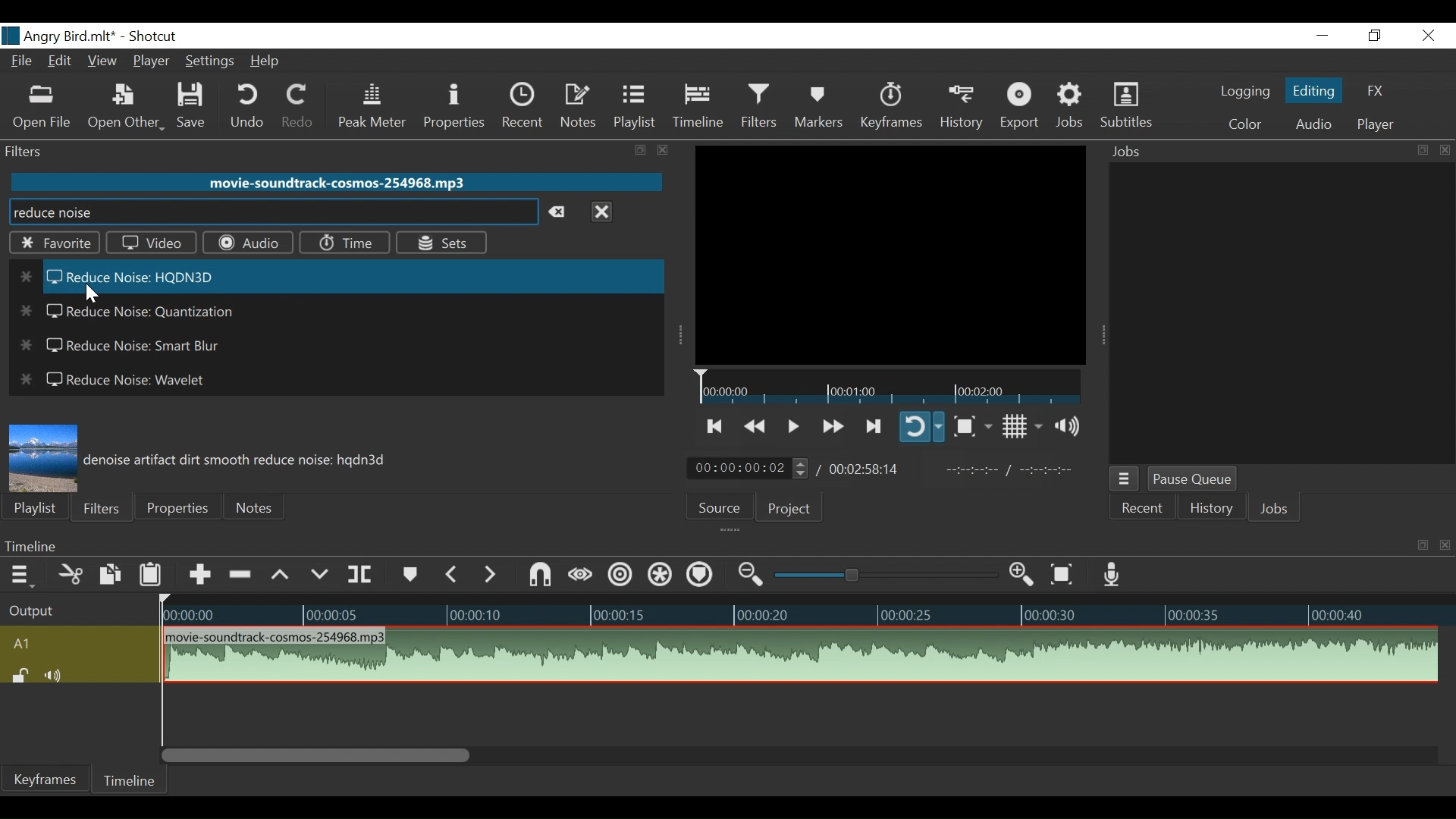  Describe the element at coordinates (125, 108) in the screenshot. I see `Open Other` at that location.